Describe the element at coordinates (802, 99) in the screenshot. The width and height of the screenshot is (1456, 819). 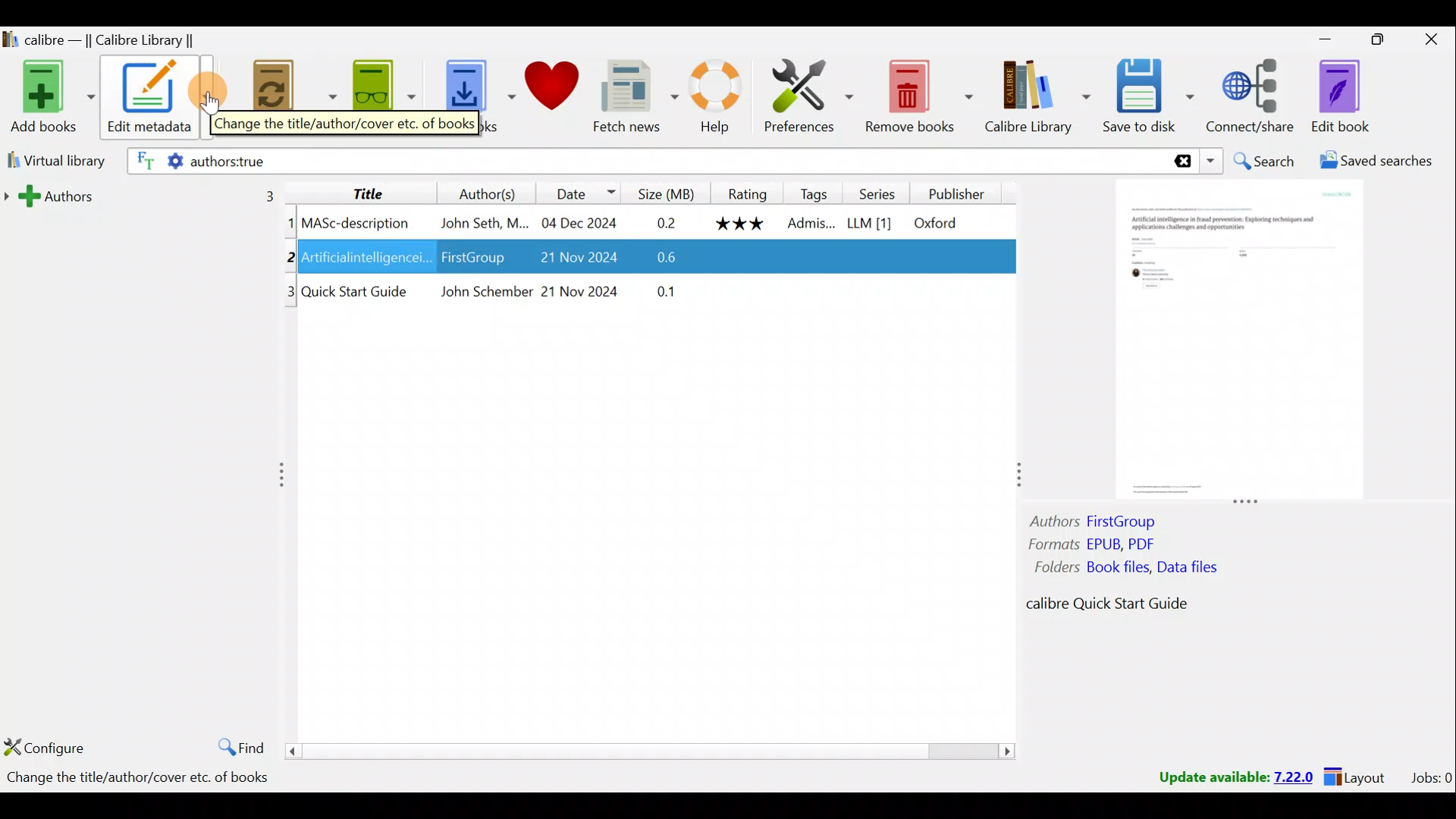
I see `Preferences` at that location.